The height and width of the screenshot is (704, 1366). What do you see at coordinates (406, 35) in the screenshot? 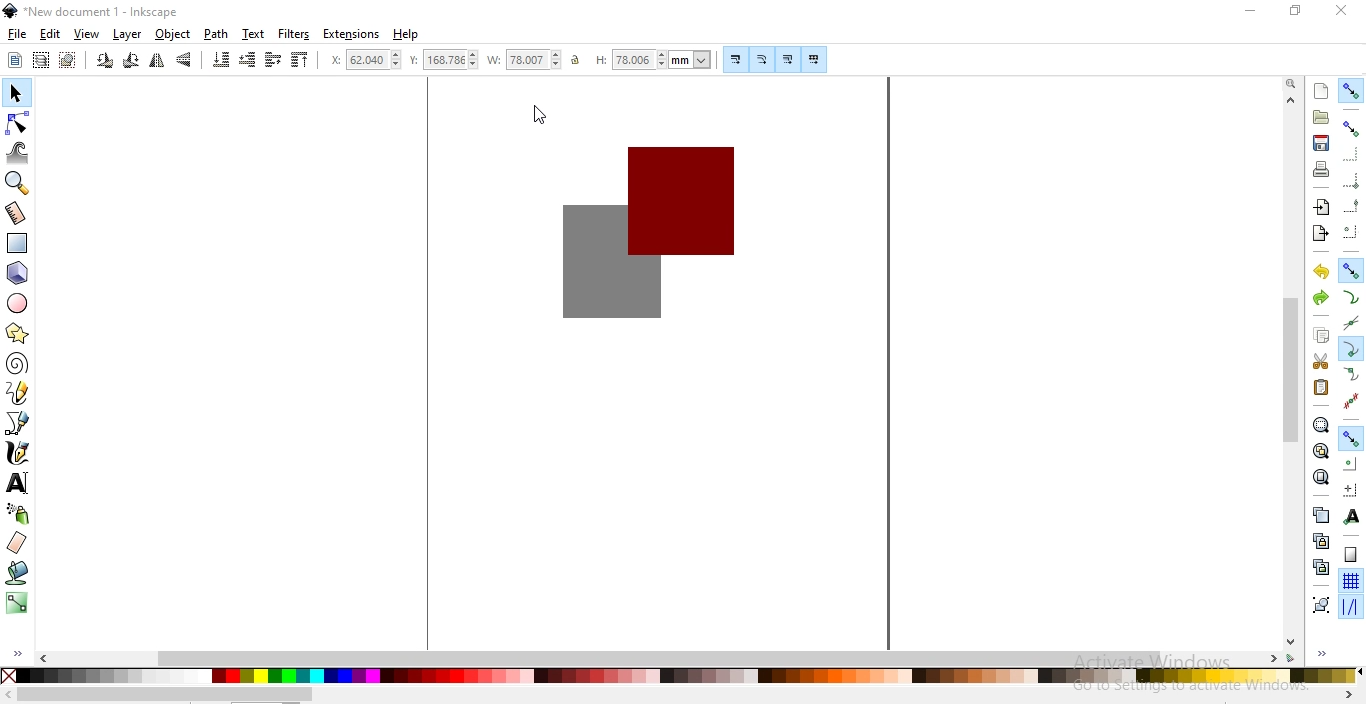
I see `help` at bounding box center [406, 35].